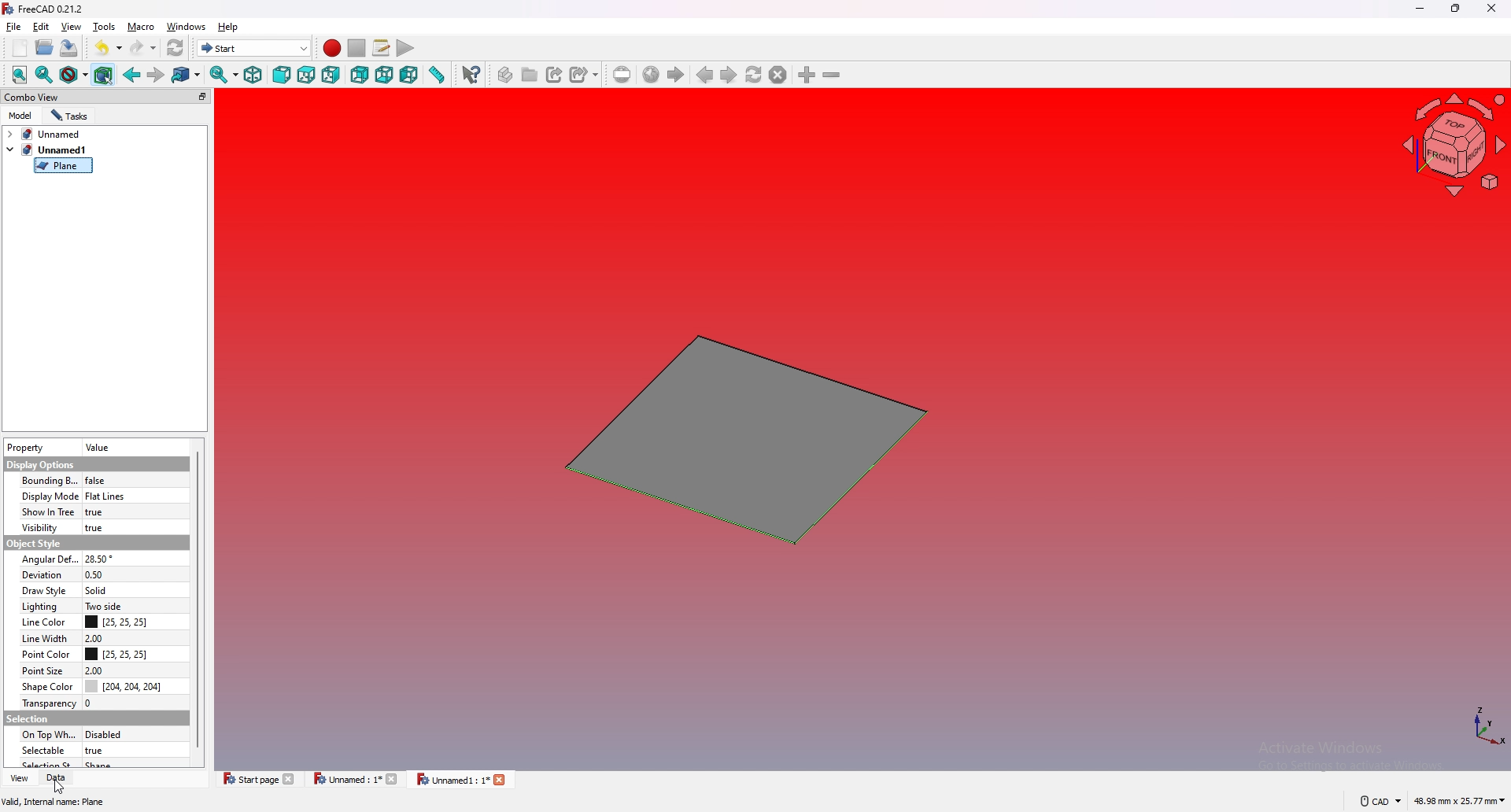 Image resolution: width=1511 pixels, height=812 pixels. Describe the element at coordinates (706, 75) in the screenshot. I see `previous page` at that location.